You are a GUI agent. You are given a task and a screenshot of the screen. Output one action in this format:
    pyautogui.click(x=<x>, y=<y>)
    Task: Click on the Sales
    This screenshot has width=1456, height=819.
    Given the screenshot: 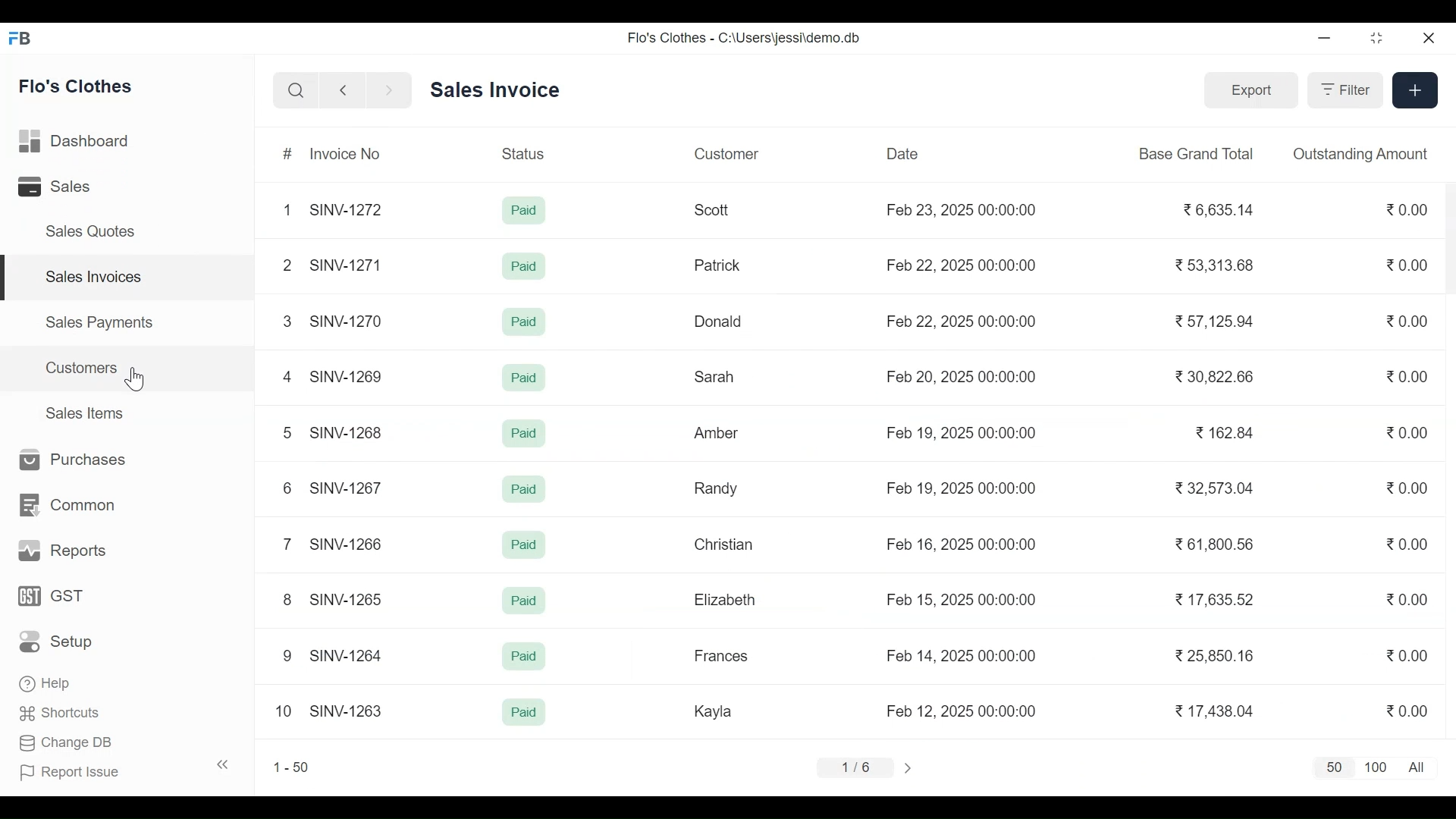 What is the action you would take?
    pyautogui.click(x=75, y=186)
    